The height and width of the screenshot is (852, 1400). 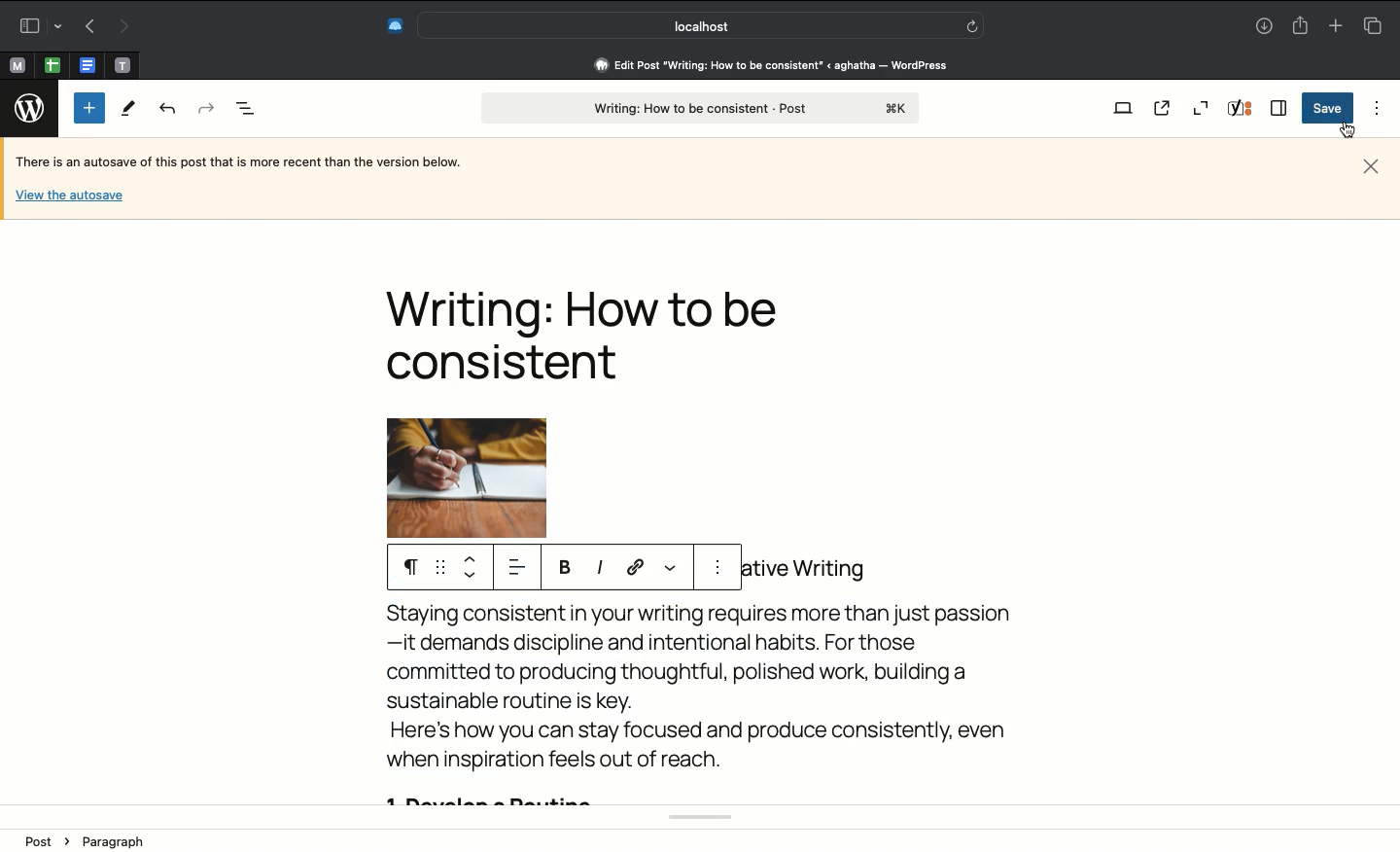 I want to click on Link, so click(x=638, y=568).